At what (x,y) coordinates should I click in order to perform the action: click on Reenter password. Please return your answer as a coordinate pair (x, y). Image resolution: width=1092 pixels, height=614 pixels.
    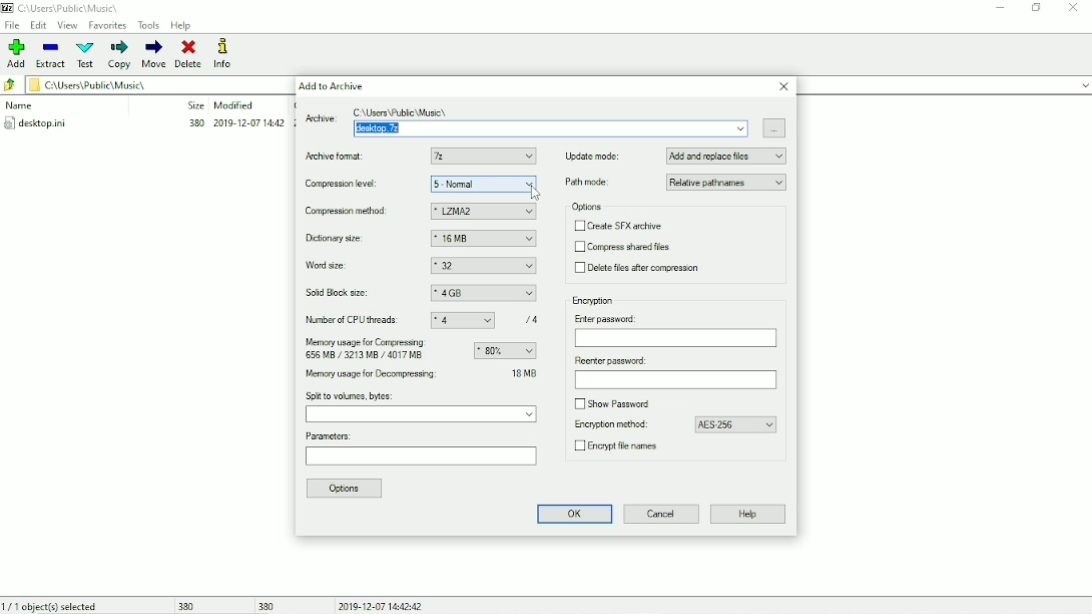
    Looking at the image, I should click on (674, 380).